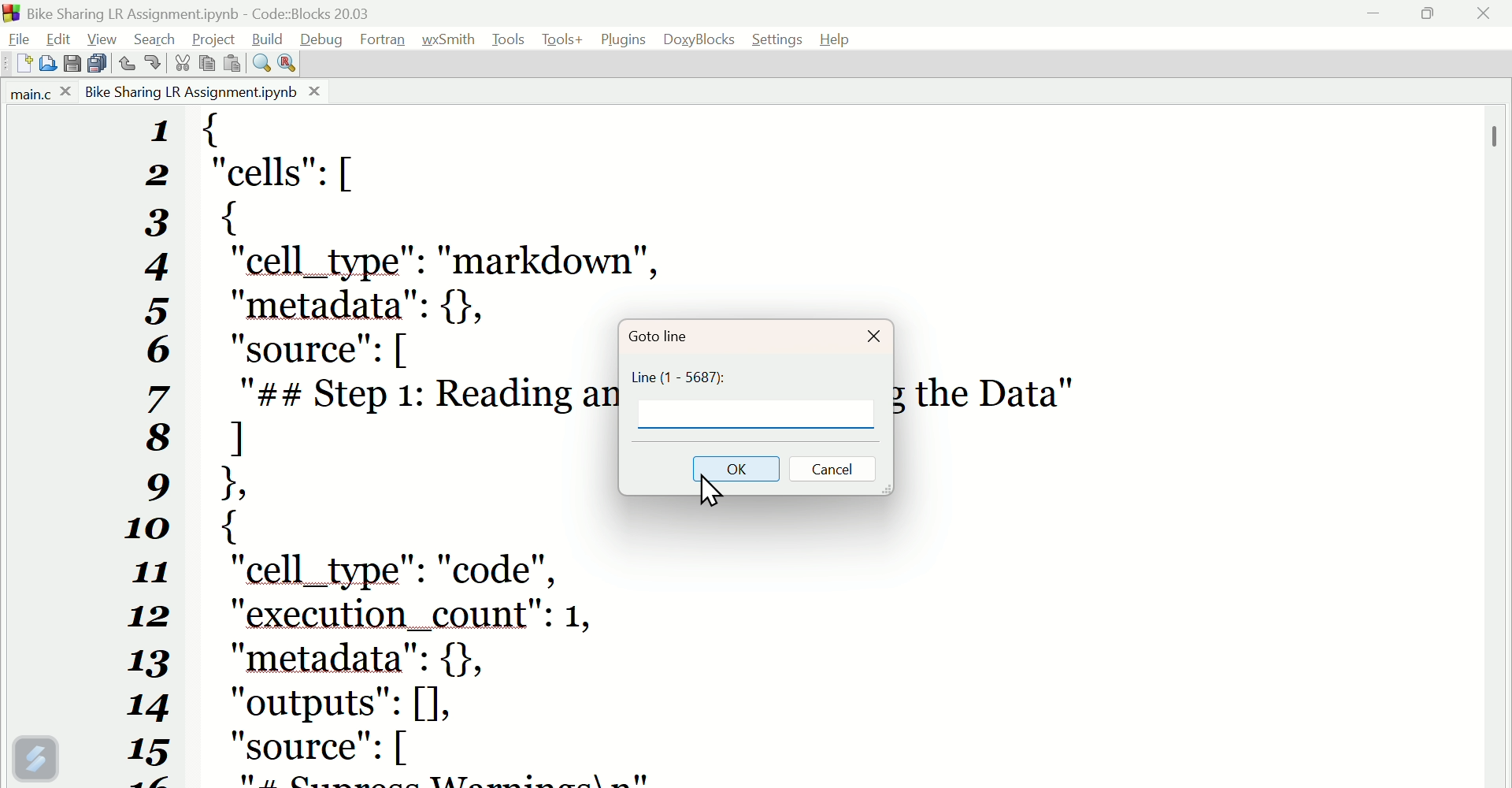  I want to click on Close, so click(874, 338).